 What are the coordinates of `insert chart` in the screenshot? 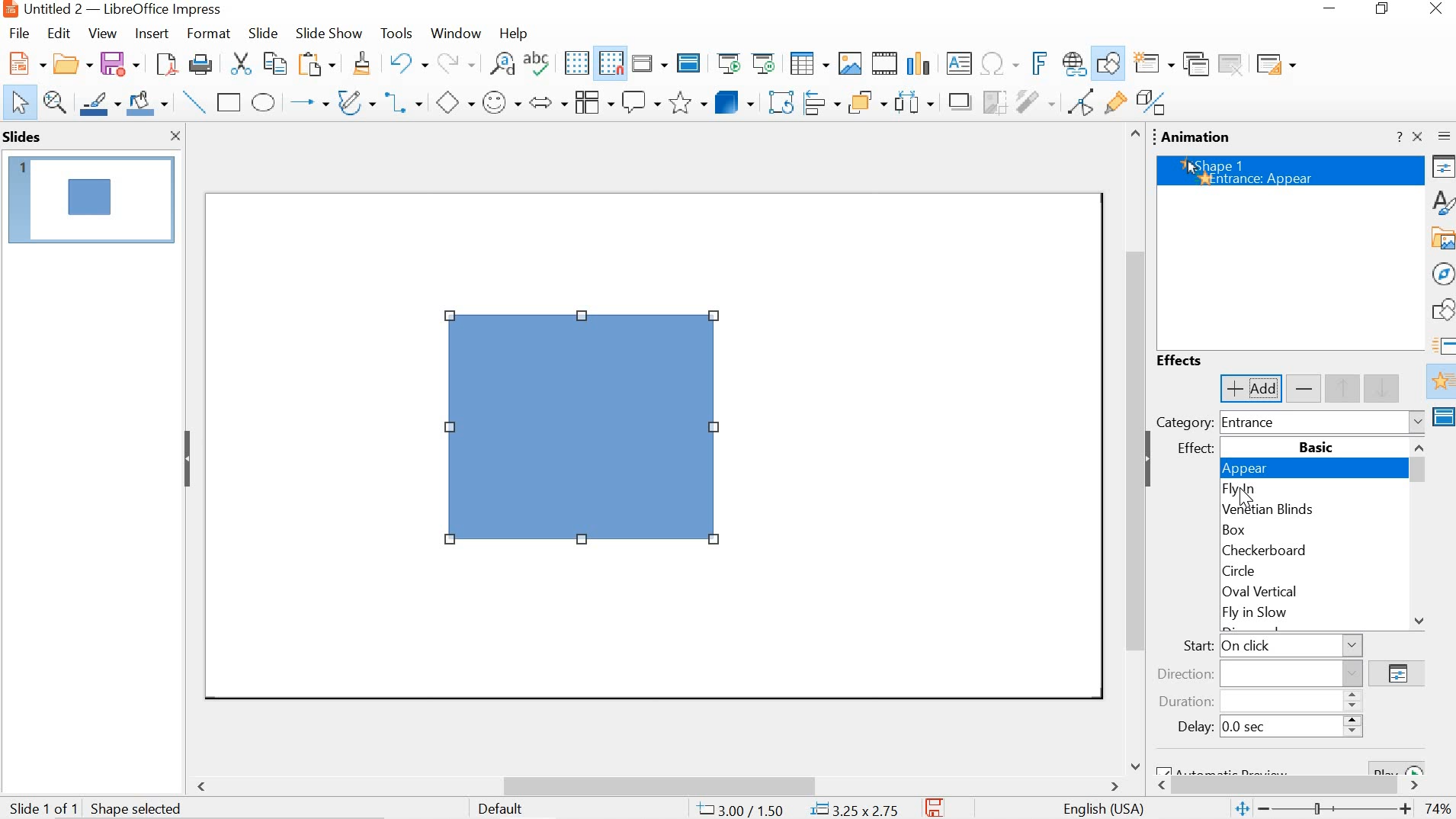 It's located at (918, 64).